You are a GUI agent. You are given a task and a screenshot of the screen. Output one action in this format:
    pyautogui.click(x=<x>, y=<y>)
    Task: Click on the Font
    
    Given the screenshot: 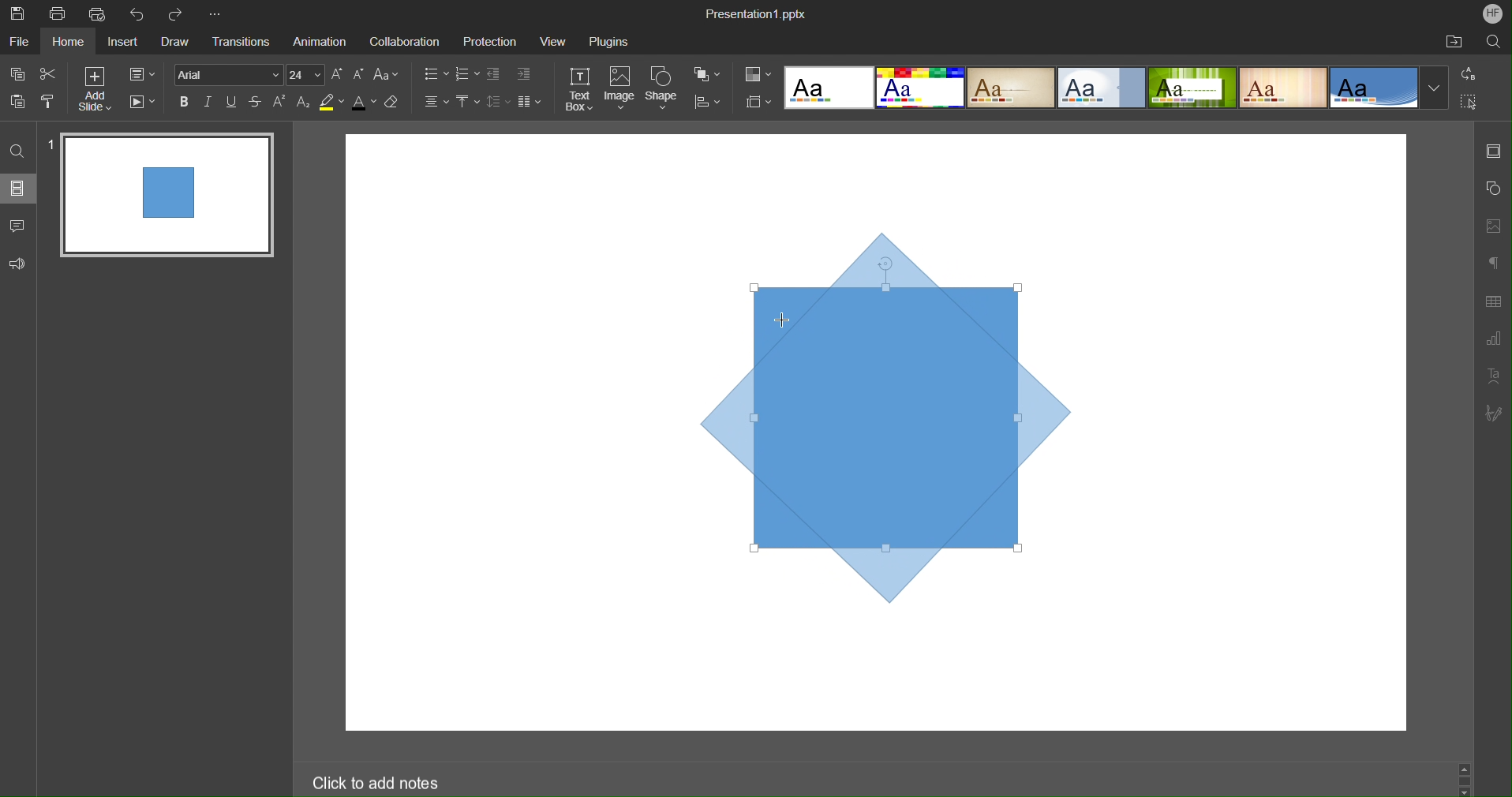 What is the action you would take?
    pyautogui.click(x=228, y=75)
    